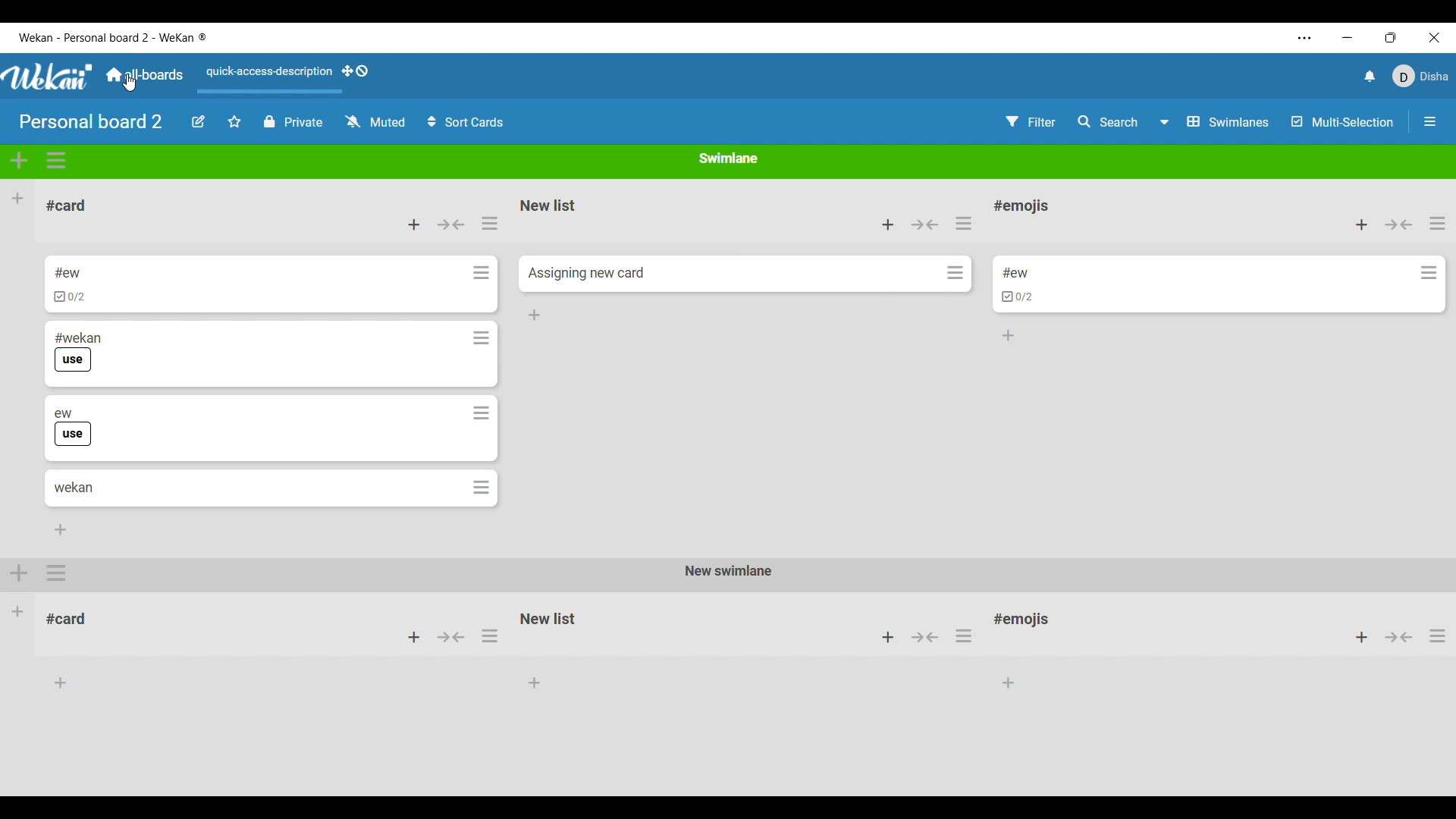 This screenshot has height=819, width=1456. Describe the element at coordinates (955, 272) in the screenshot. I see `Card actions` at that location.